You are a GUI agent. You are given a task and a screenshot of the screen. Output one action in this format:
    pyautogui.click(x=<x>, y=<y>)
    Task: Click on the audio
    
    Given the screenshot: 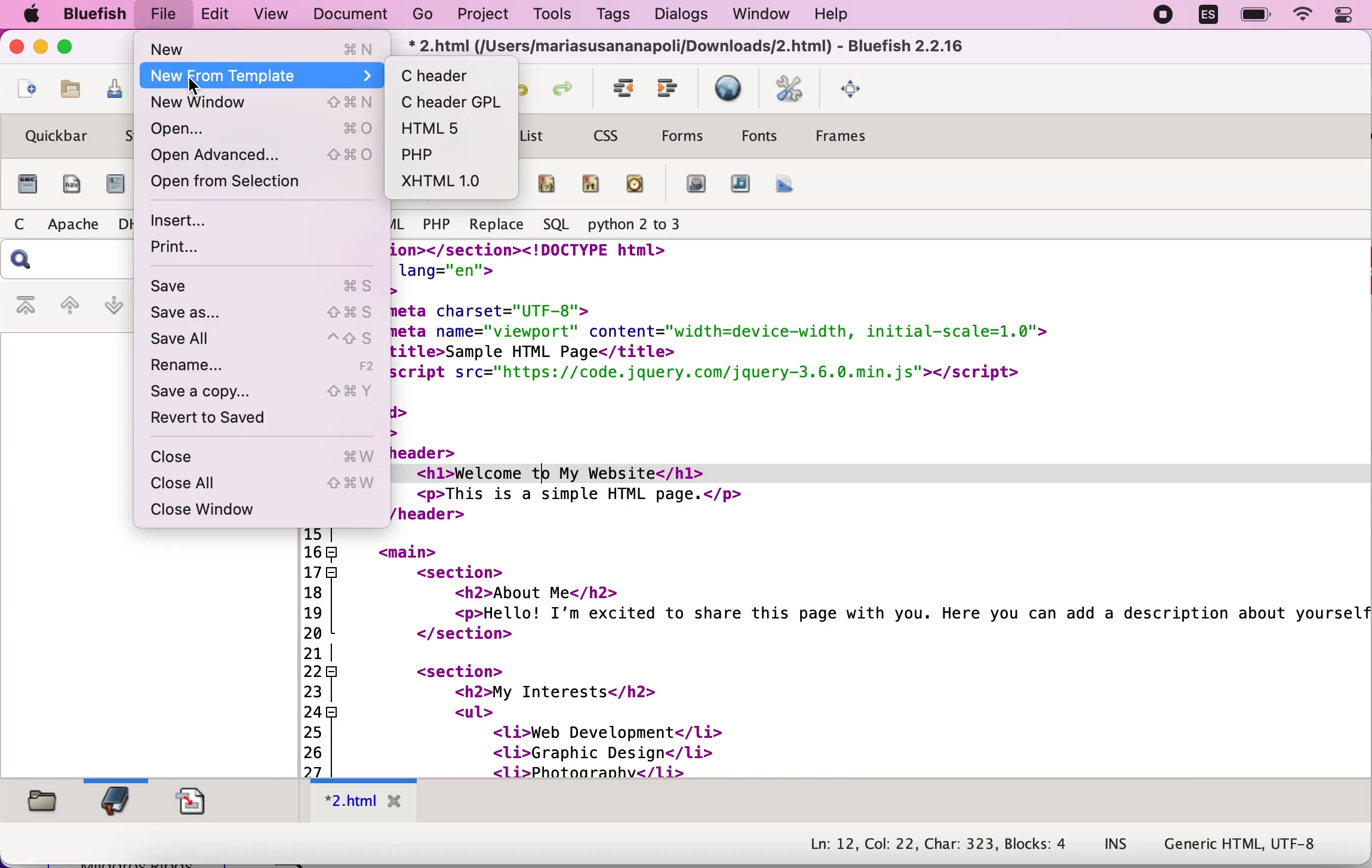 What is the action you would take?
    pyautogui.click(x=741, y=186)
    